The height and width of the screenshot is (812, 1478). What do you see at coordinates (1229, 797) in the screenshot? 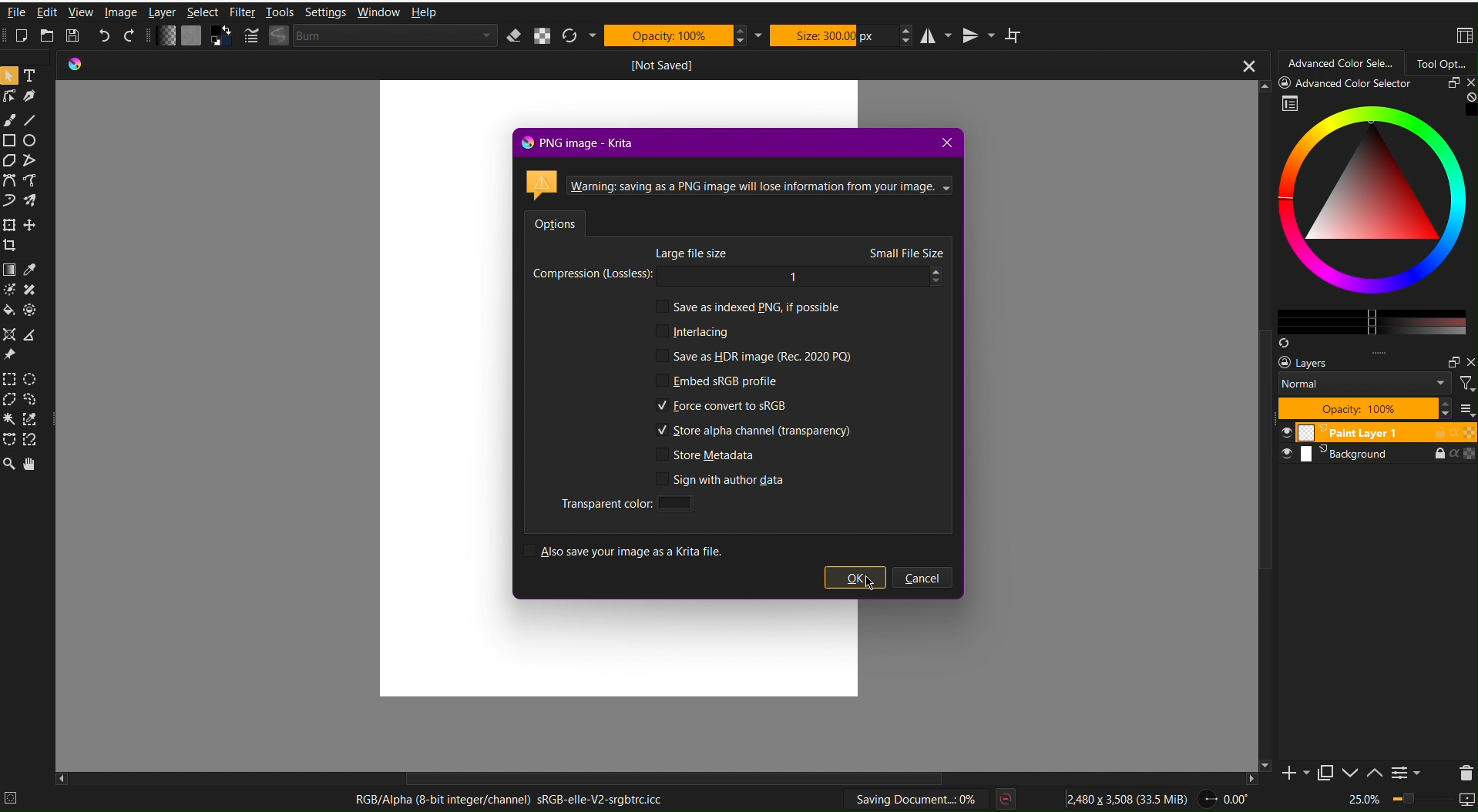
I see `Degree` at bounding box center [1229, 797].